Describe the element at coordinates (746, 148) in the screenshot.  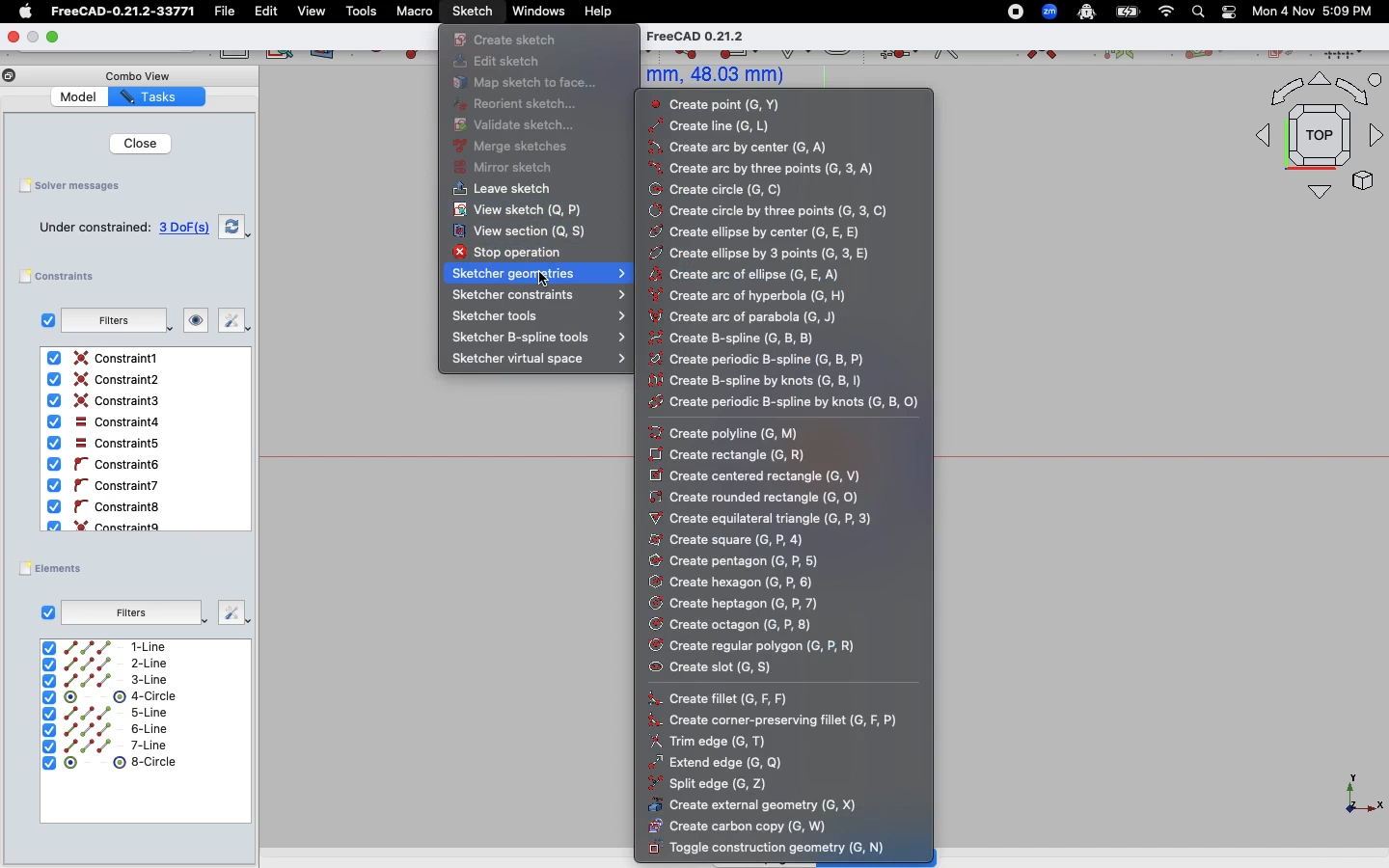
I see `Create arc by center (G, A)` at that location.